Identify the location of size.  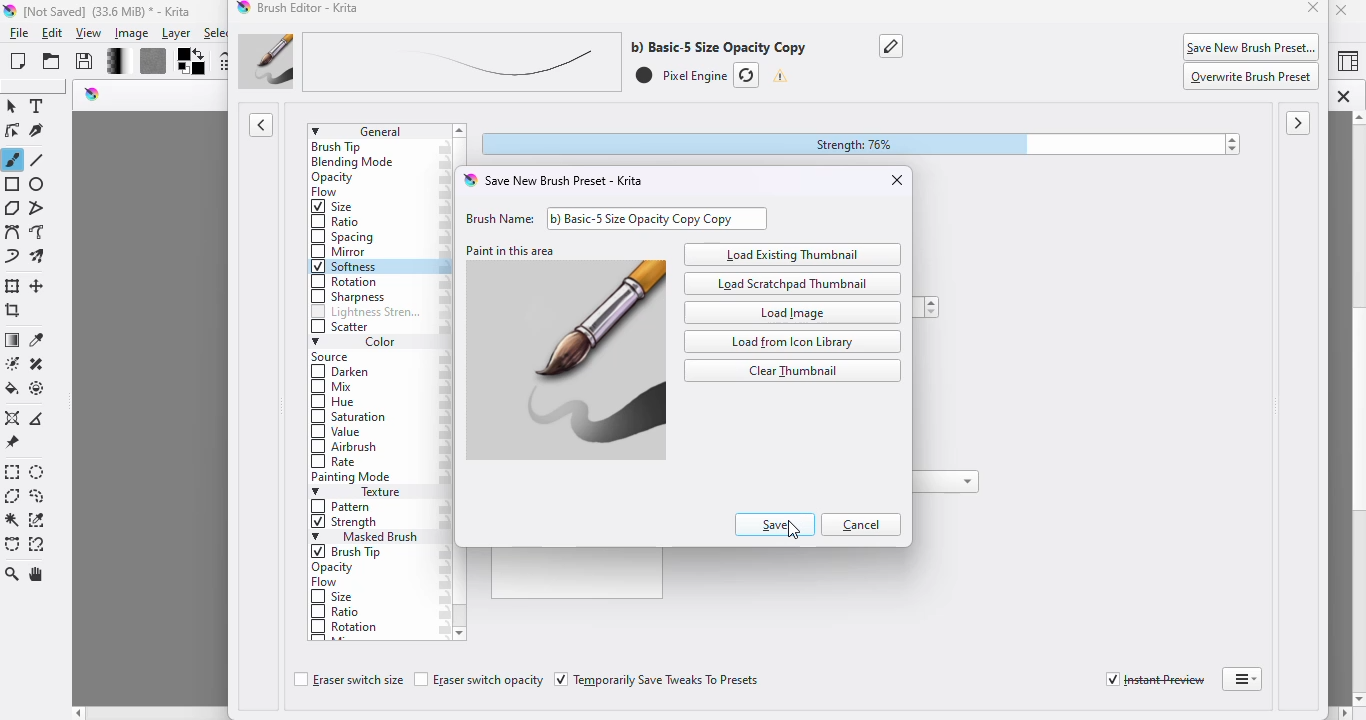
(334, 207).